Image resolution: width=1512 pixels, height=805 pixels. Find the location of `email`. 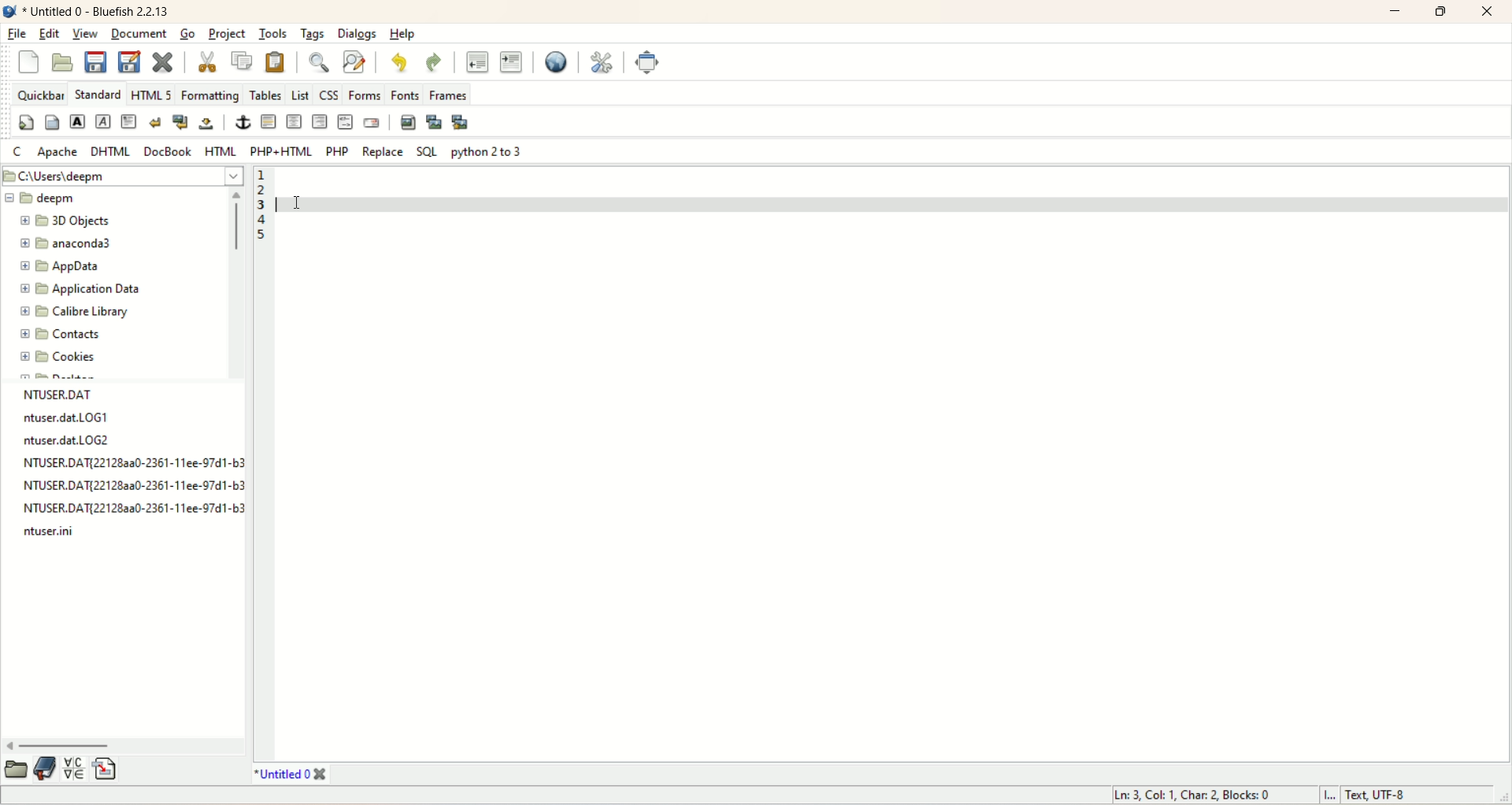

email is located at coordinates (370, 123).